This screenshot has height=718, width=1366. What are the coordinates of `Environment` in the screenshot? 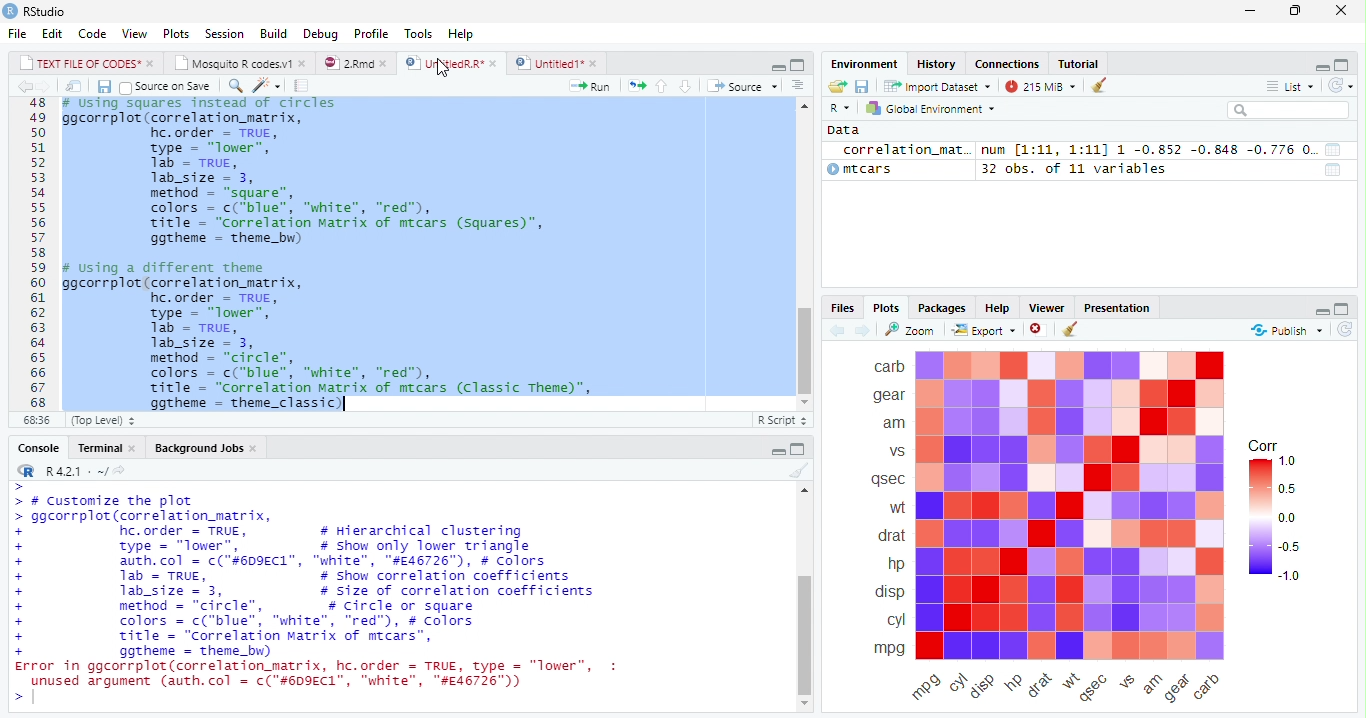 It's located at (864, 64).